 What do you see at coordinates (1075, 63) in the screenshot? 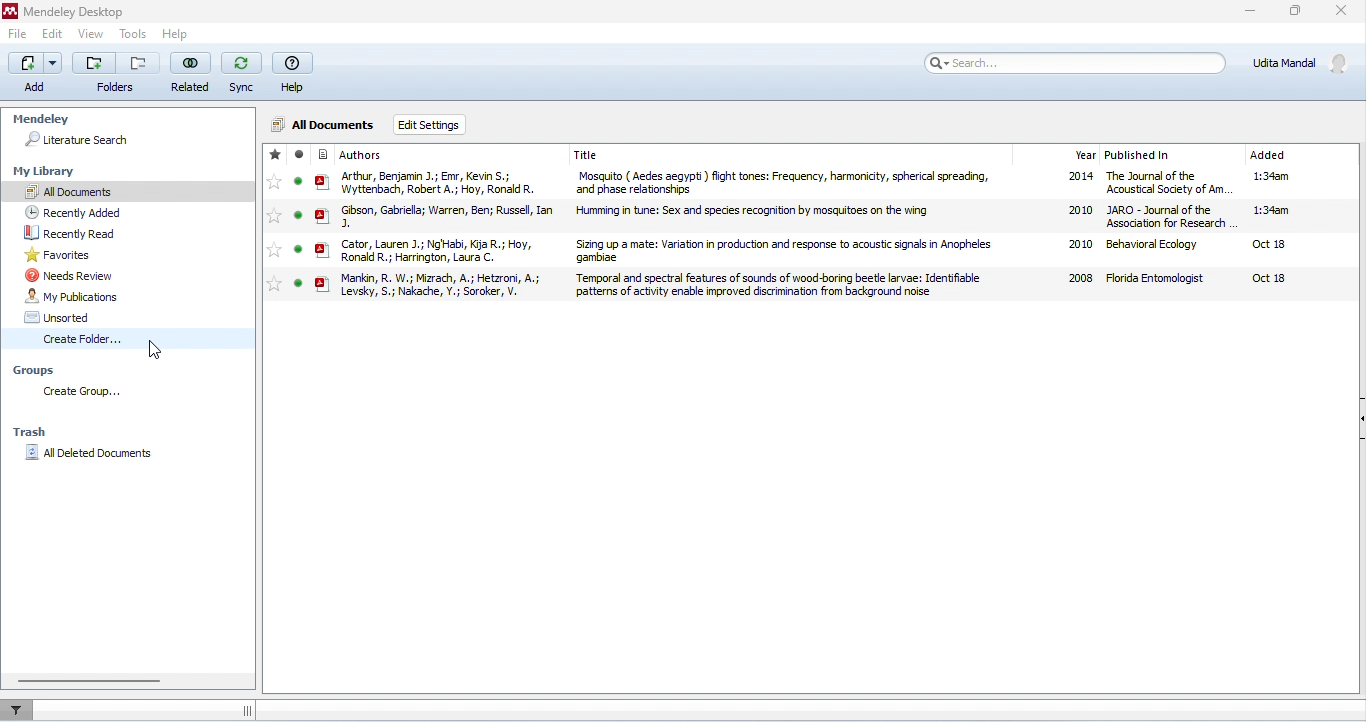
I see `search bar` at bounding box center [1075, 63].